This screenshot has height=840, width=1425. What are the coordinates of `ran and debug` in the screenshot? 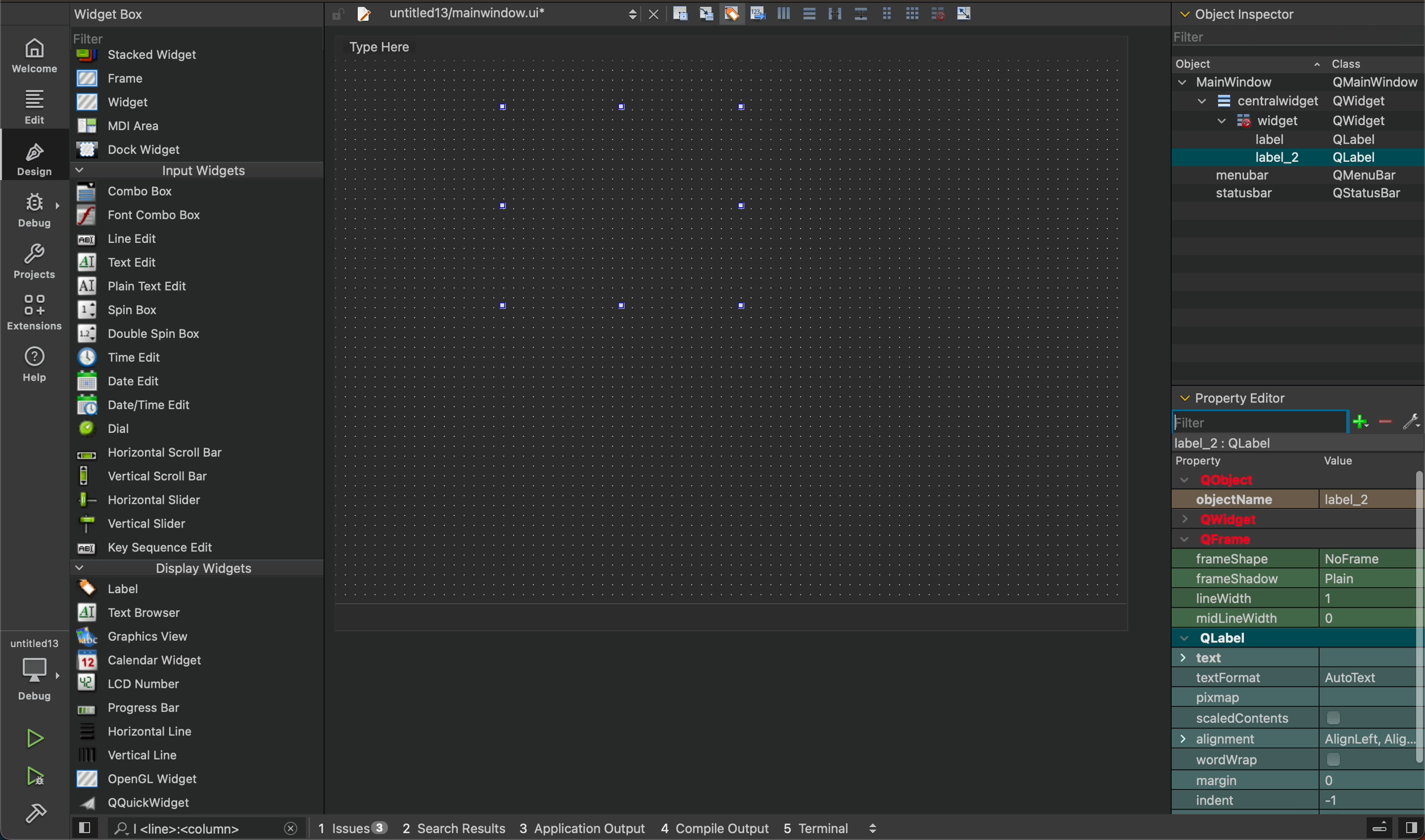 It's located at (43, 778).